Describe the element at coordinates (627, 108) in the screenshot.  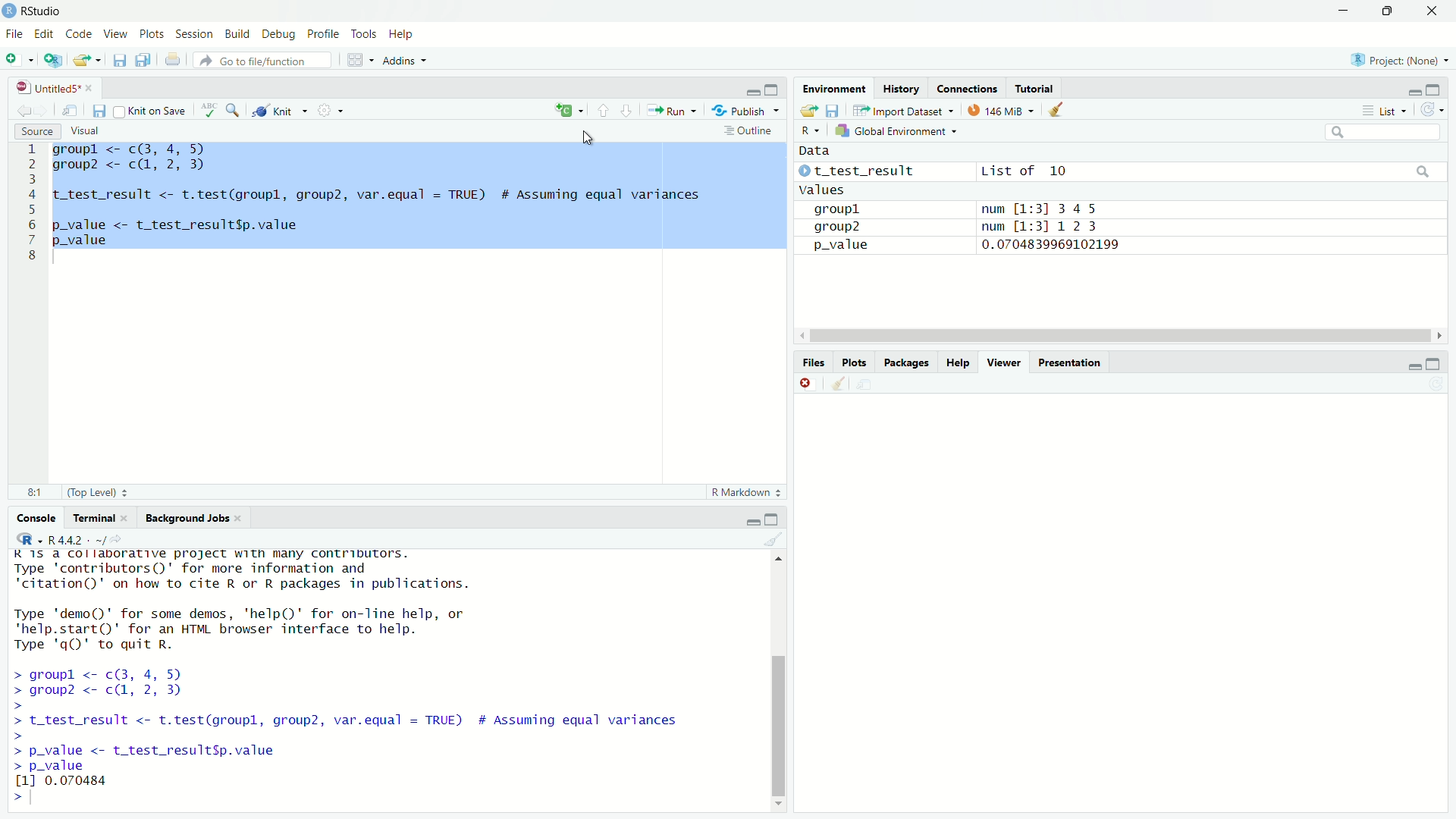
I see `go to next section` at that location.